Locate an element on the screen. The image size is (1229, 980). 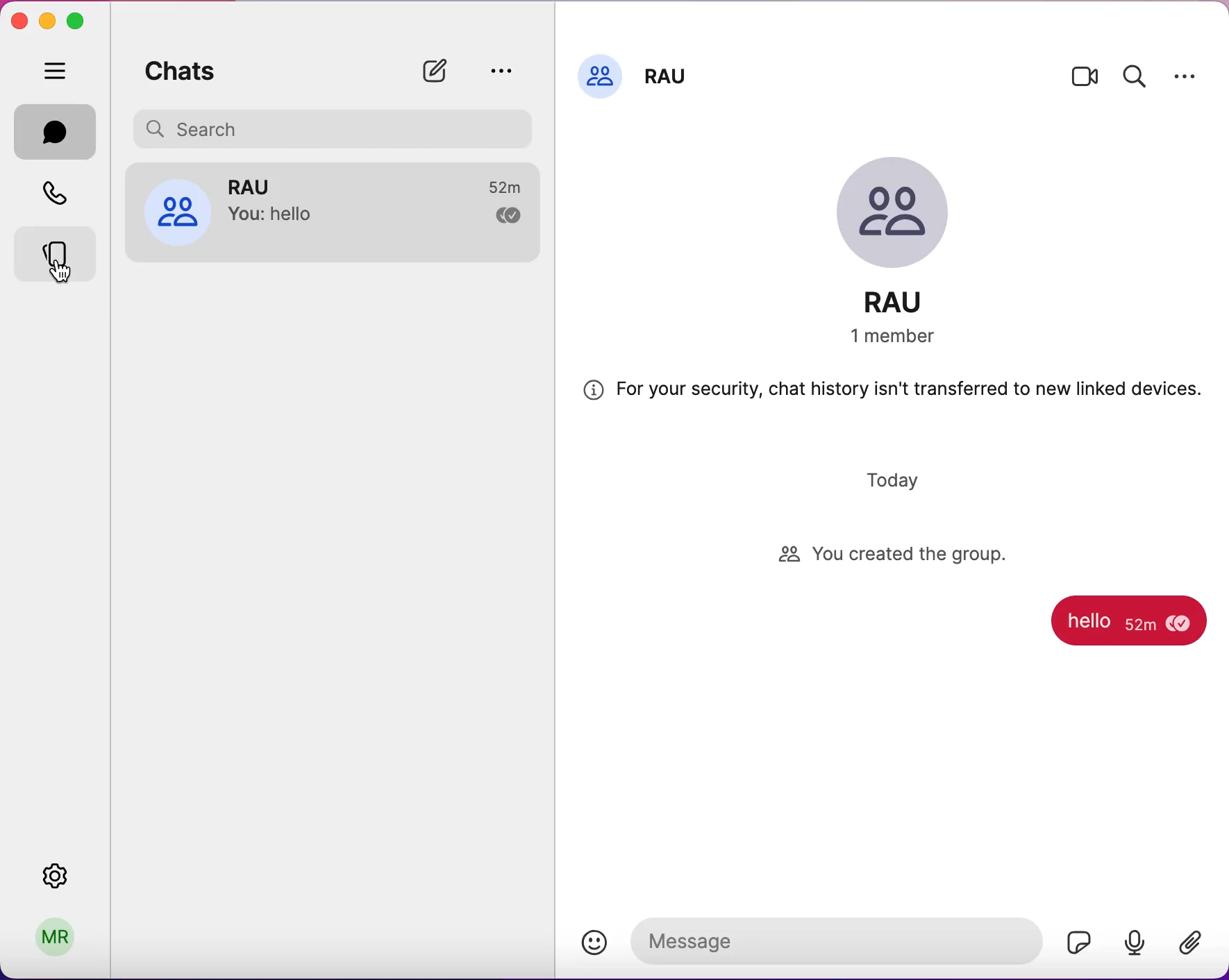
search is located at coordinates (1140, 78).